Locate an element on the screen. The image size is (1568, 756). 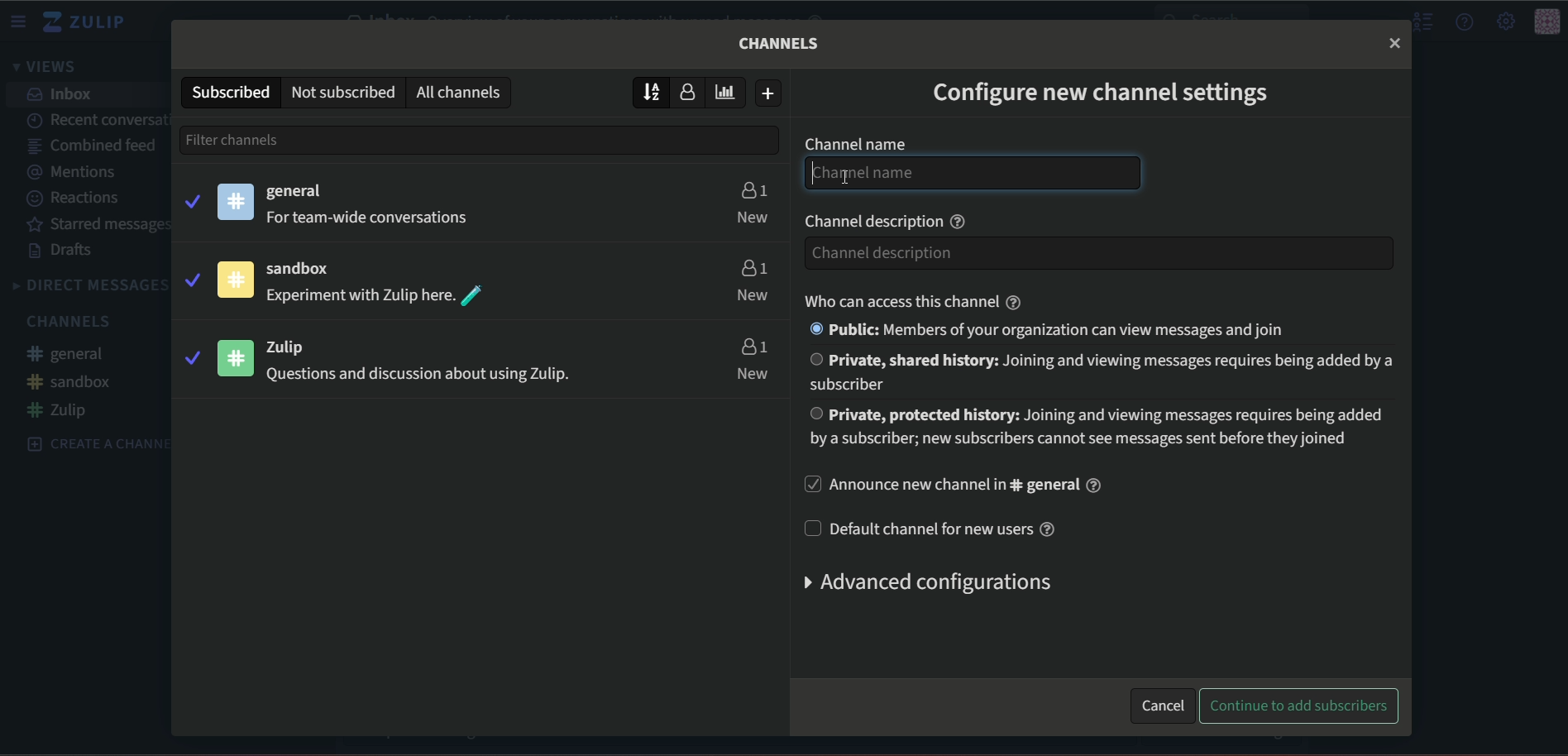
Reactions is located at coordinates (76, 199).